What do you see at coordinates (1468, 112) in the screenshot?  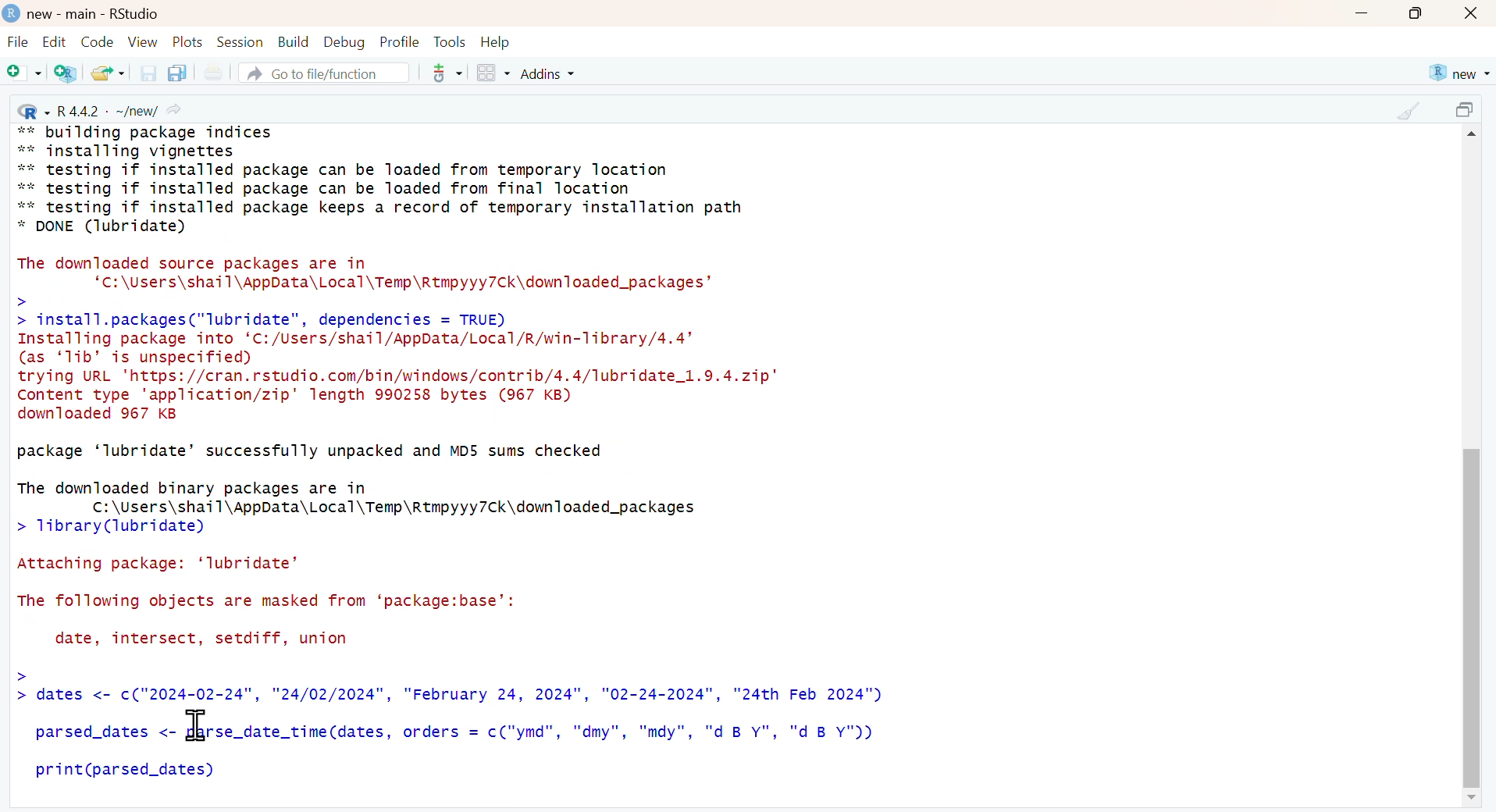 I see `maximize` at bounding box center [1468, 112].